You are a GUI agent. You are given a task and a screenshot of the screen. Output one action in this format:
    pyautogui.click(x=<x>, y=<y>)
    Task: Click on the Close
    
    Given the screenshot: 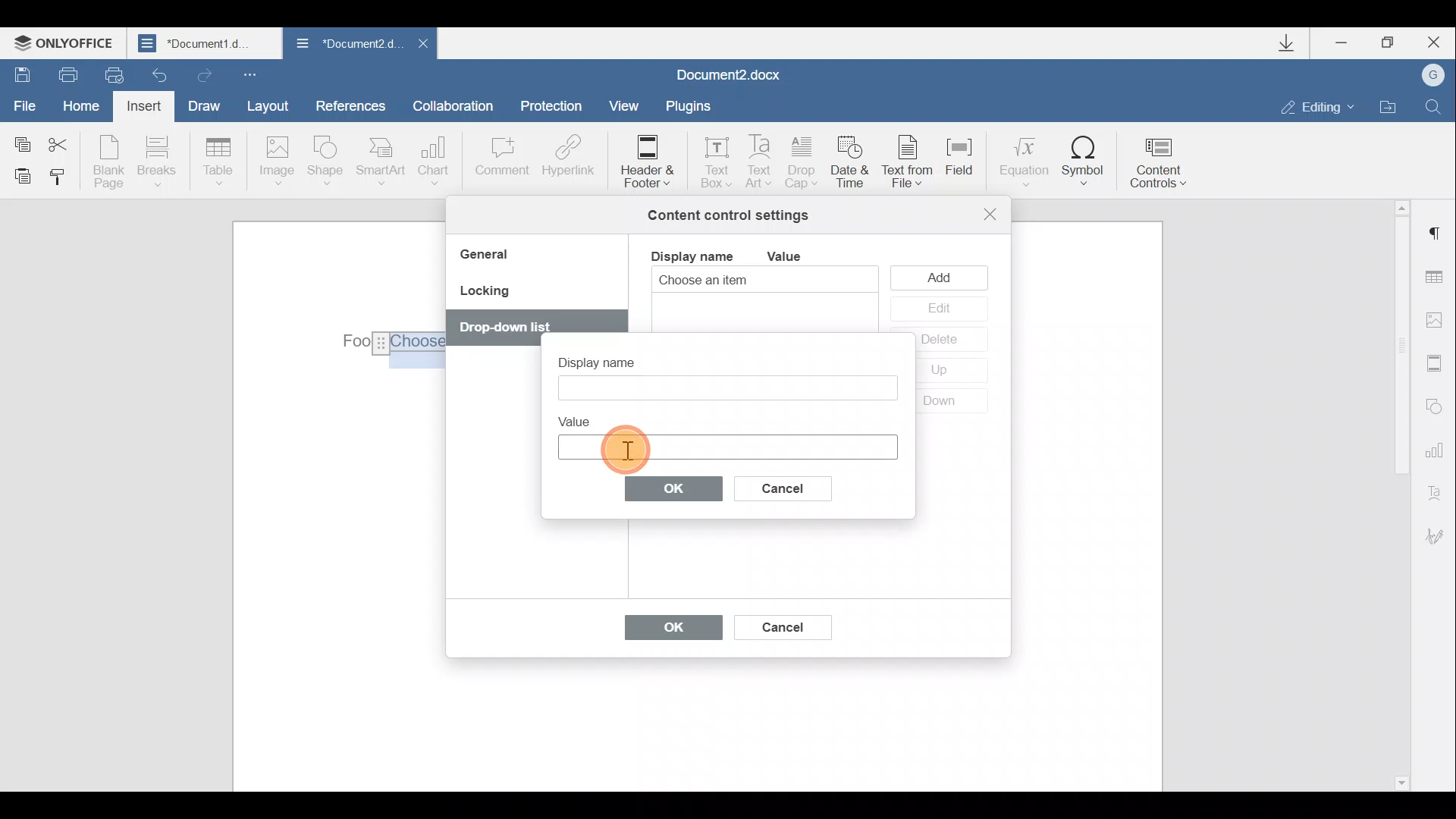 What is the action you would take?
    pyautogui.click(x=422, y=48)
    